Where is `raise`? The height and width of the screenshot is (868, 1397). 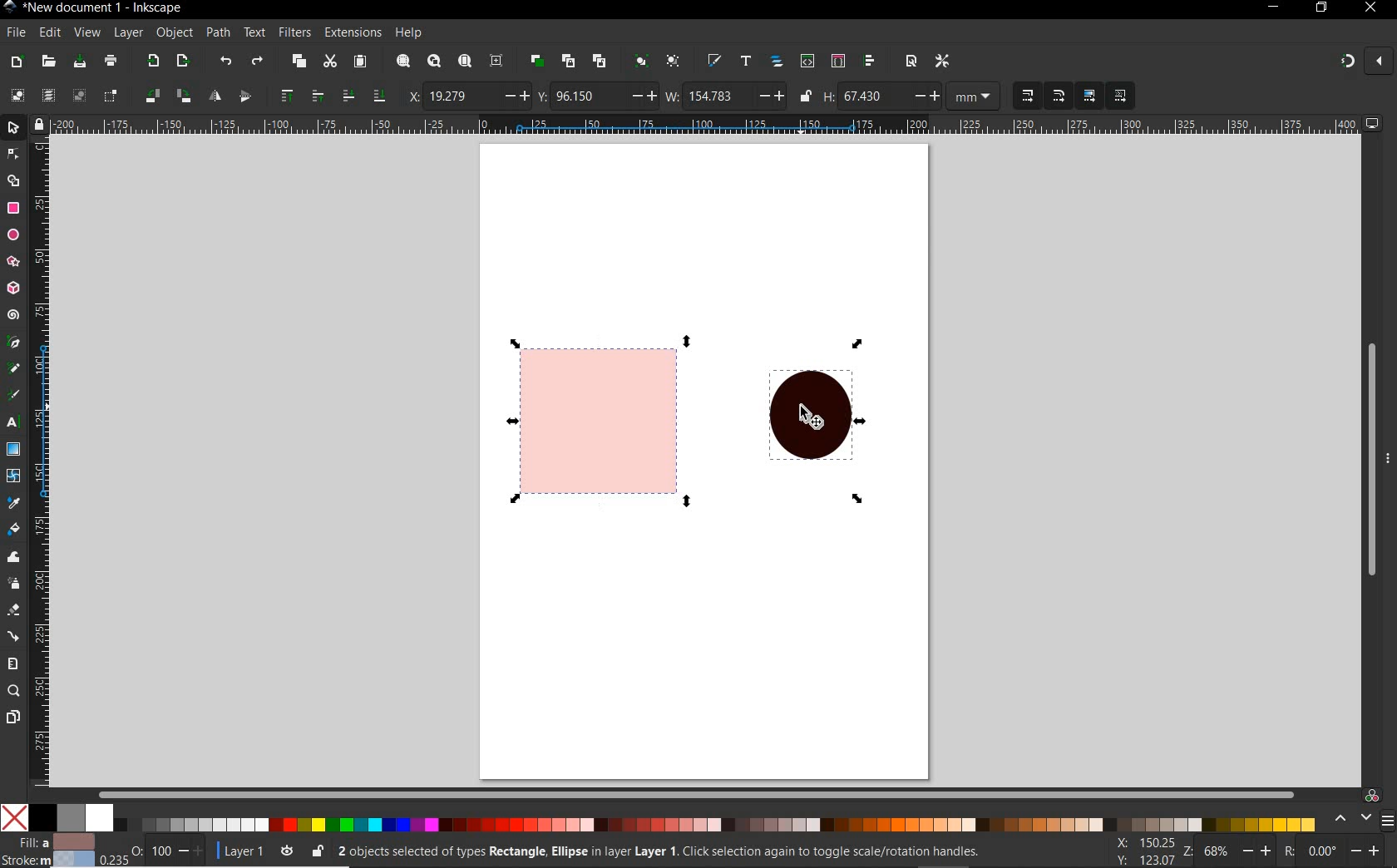
raise is located at coordinates (316, 94).